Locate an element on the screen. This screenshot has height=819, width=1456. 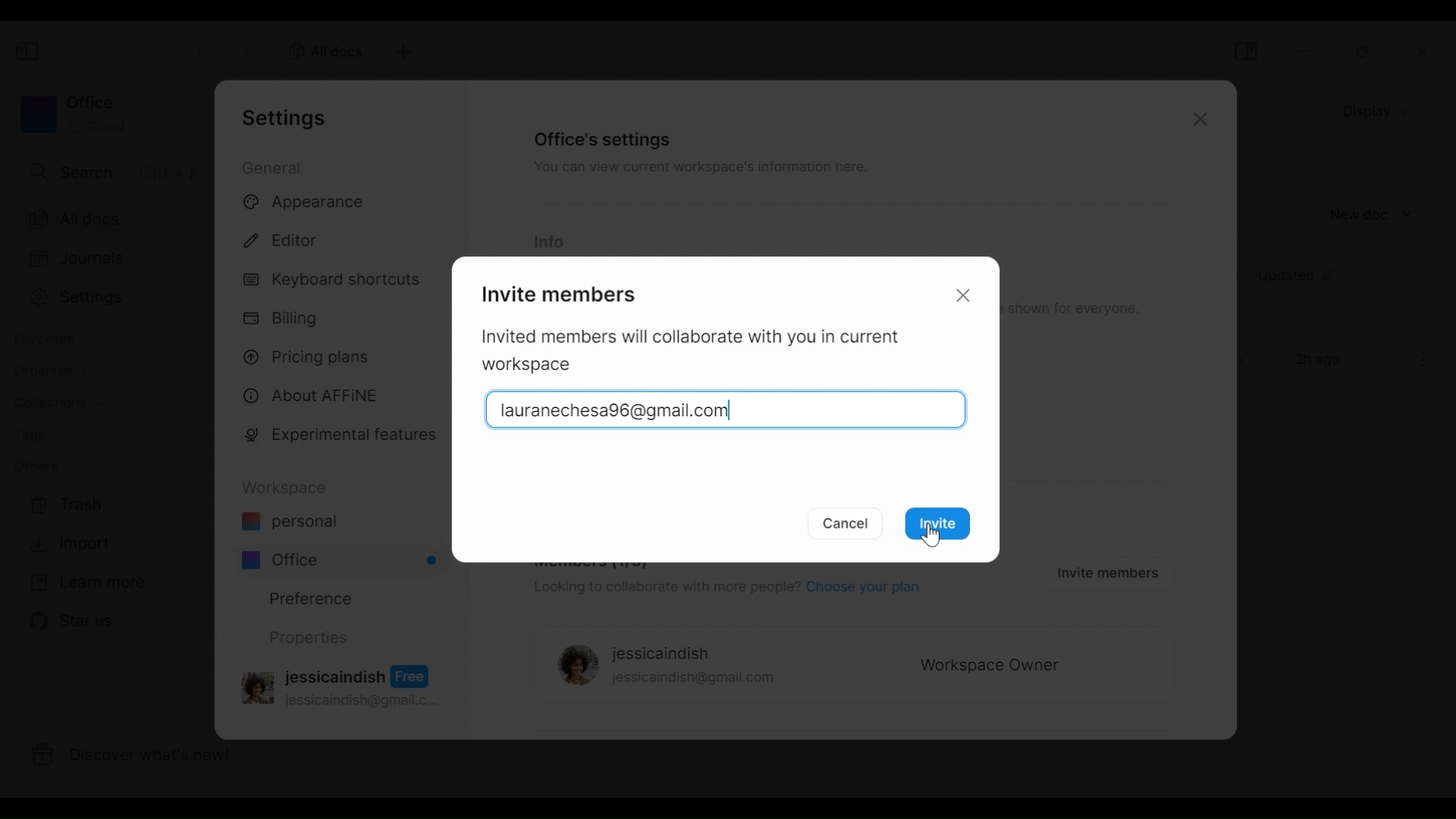
Updated is located at coordinates (1302, 278).